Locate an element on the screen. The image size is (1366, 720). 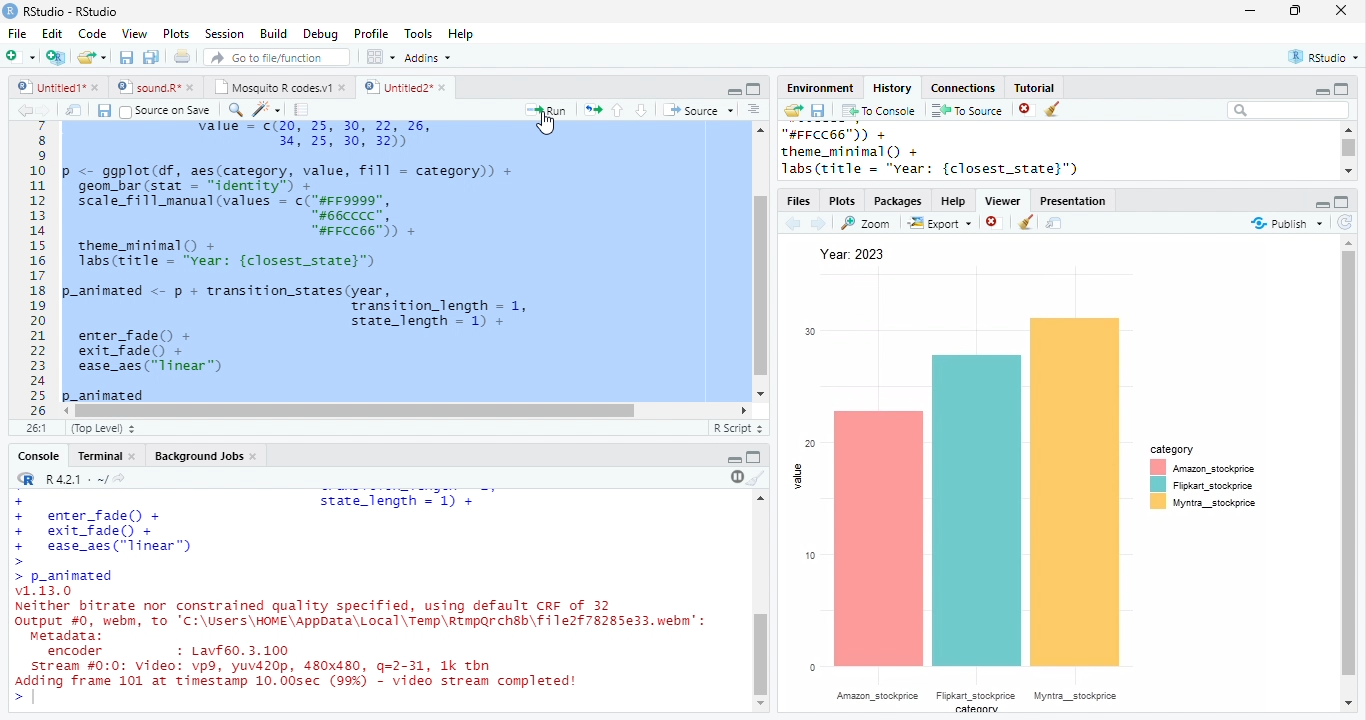
minimize is located at coordinates (1249, 11).